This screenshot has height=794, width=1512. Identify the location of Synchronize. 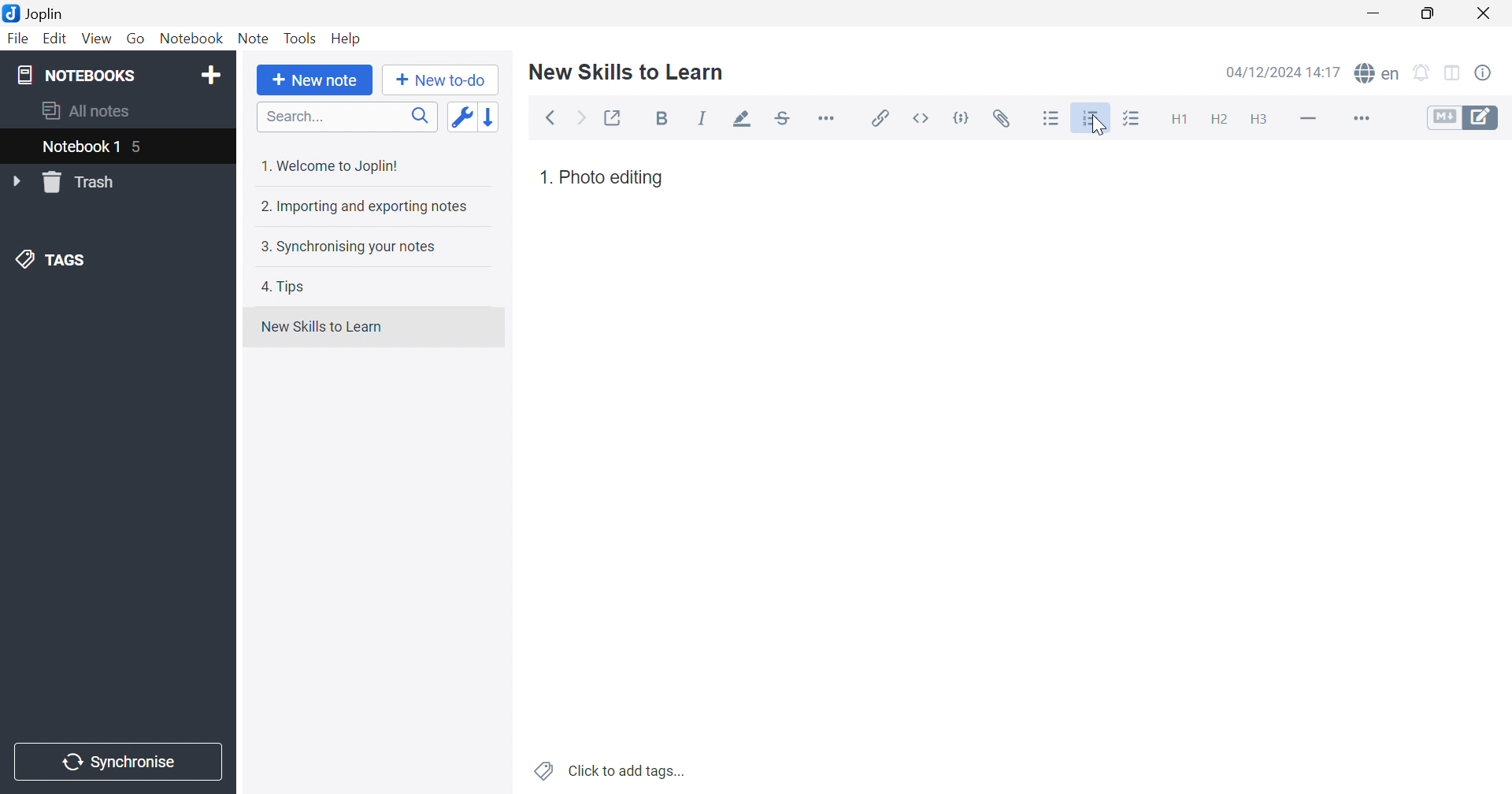
(121, 762).